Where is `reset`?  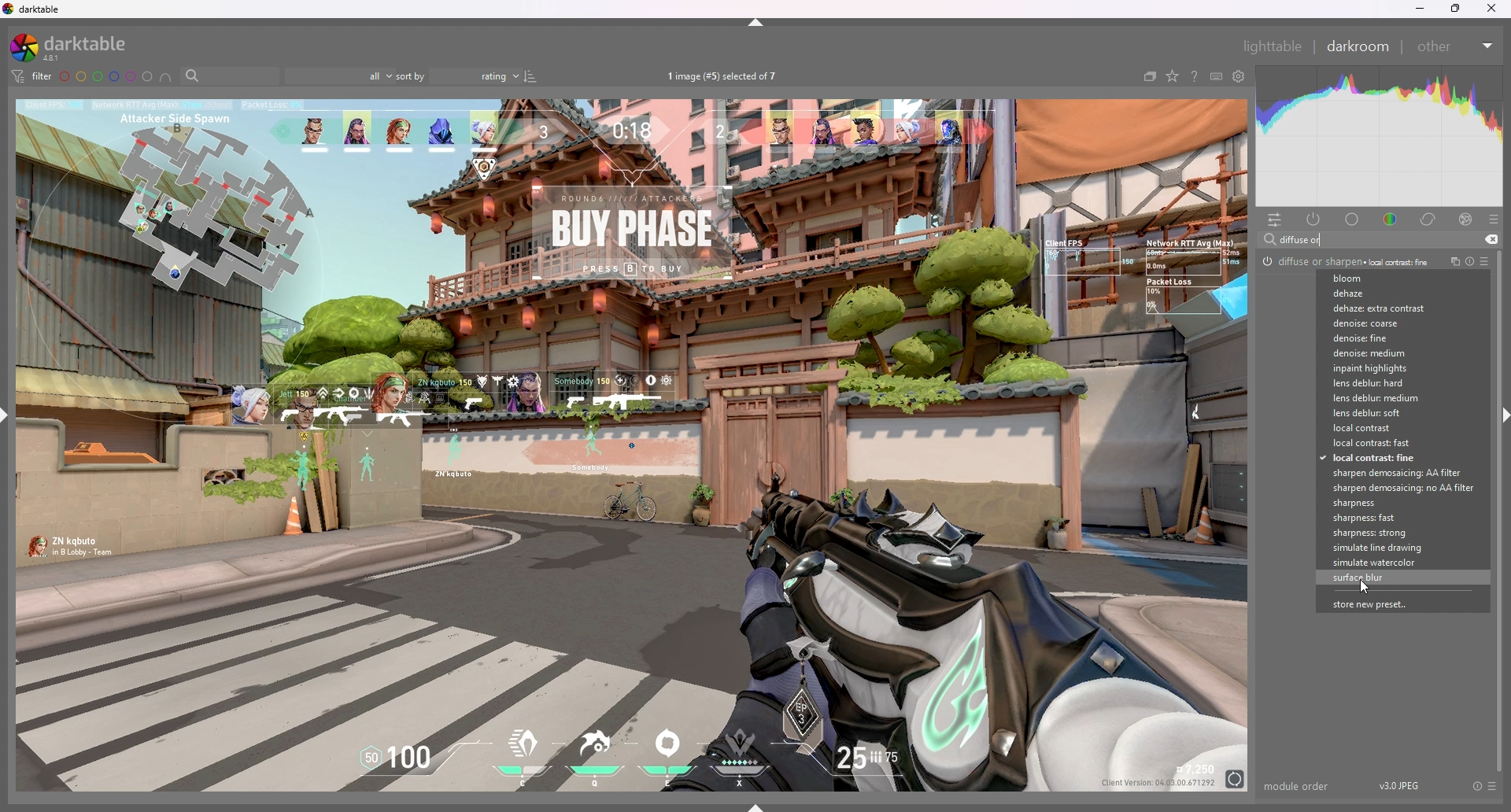 reset is located at coordinates (1469, 262).